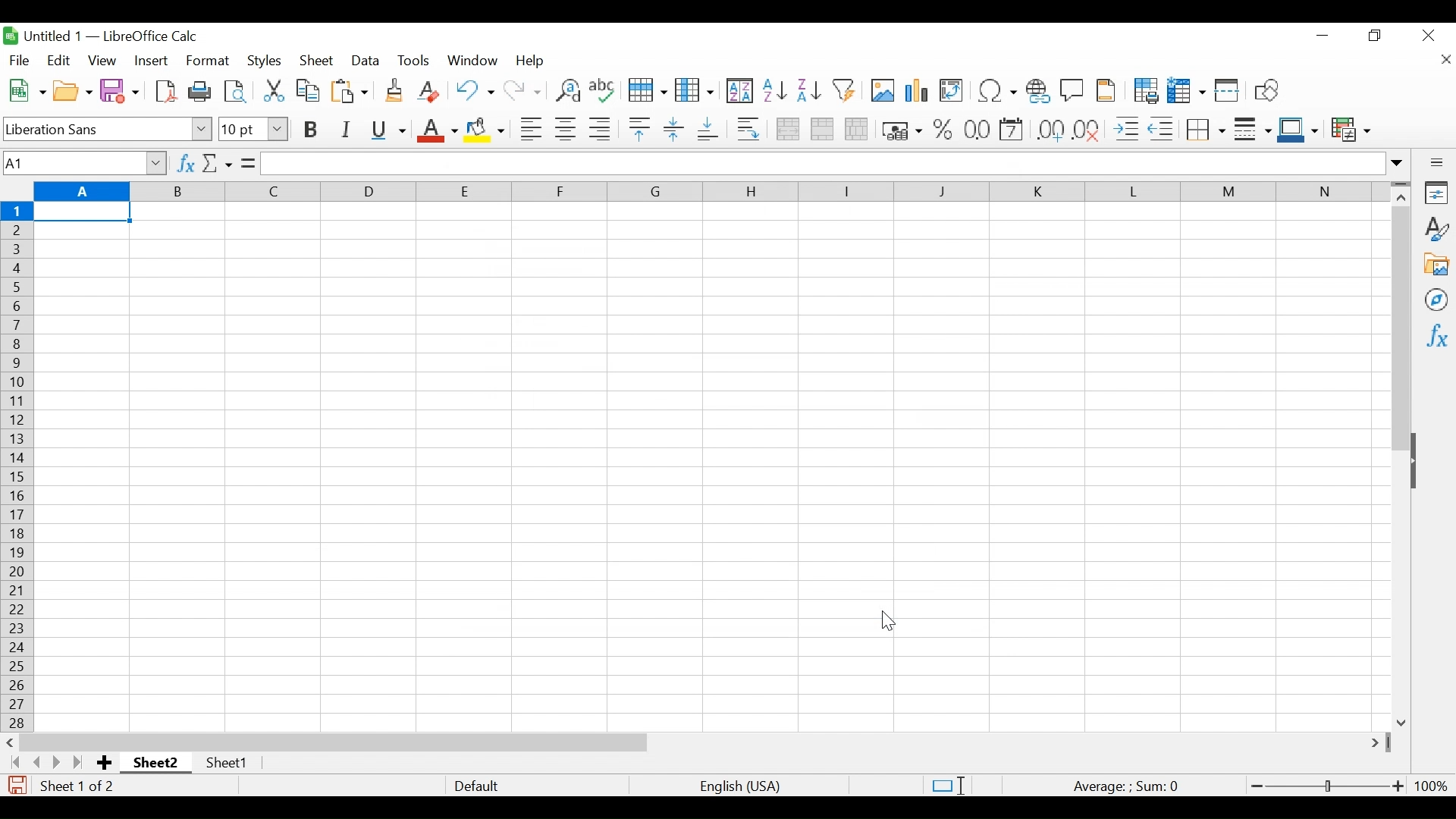 Image resolution: width=1456 pixels, height=819 pixels. What do you see at coordinates (673, 130) in the screenshot?
I see `Center Vertically` at bounding box center [673, 130].